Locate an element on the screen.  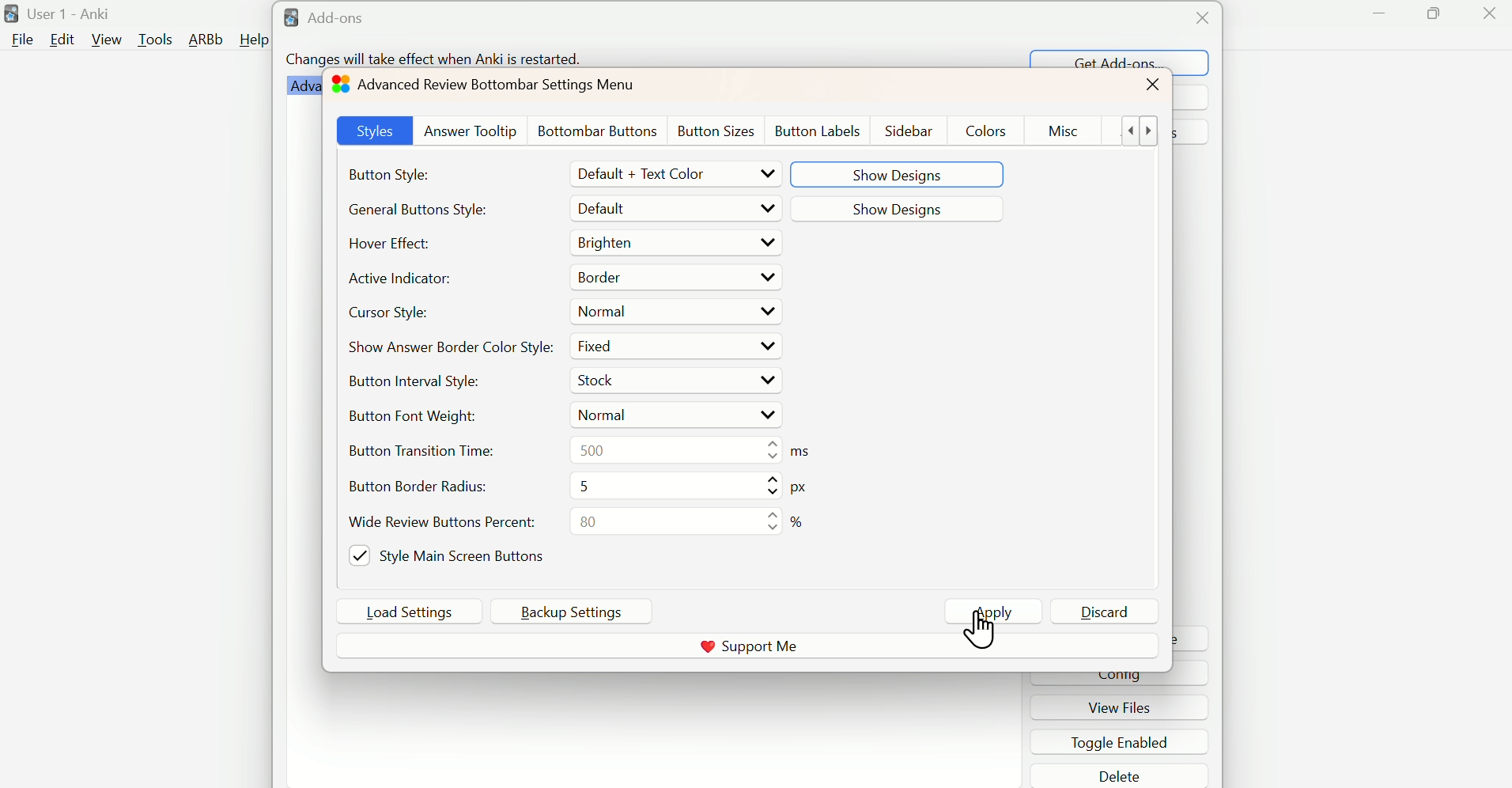
Normal is located at coordinates (606, 413).